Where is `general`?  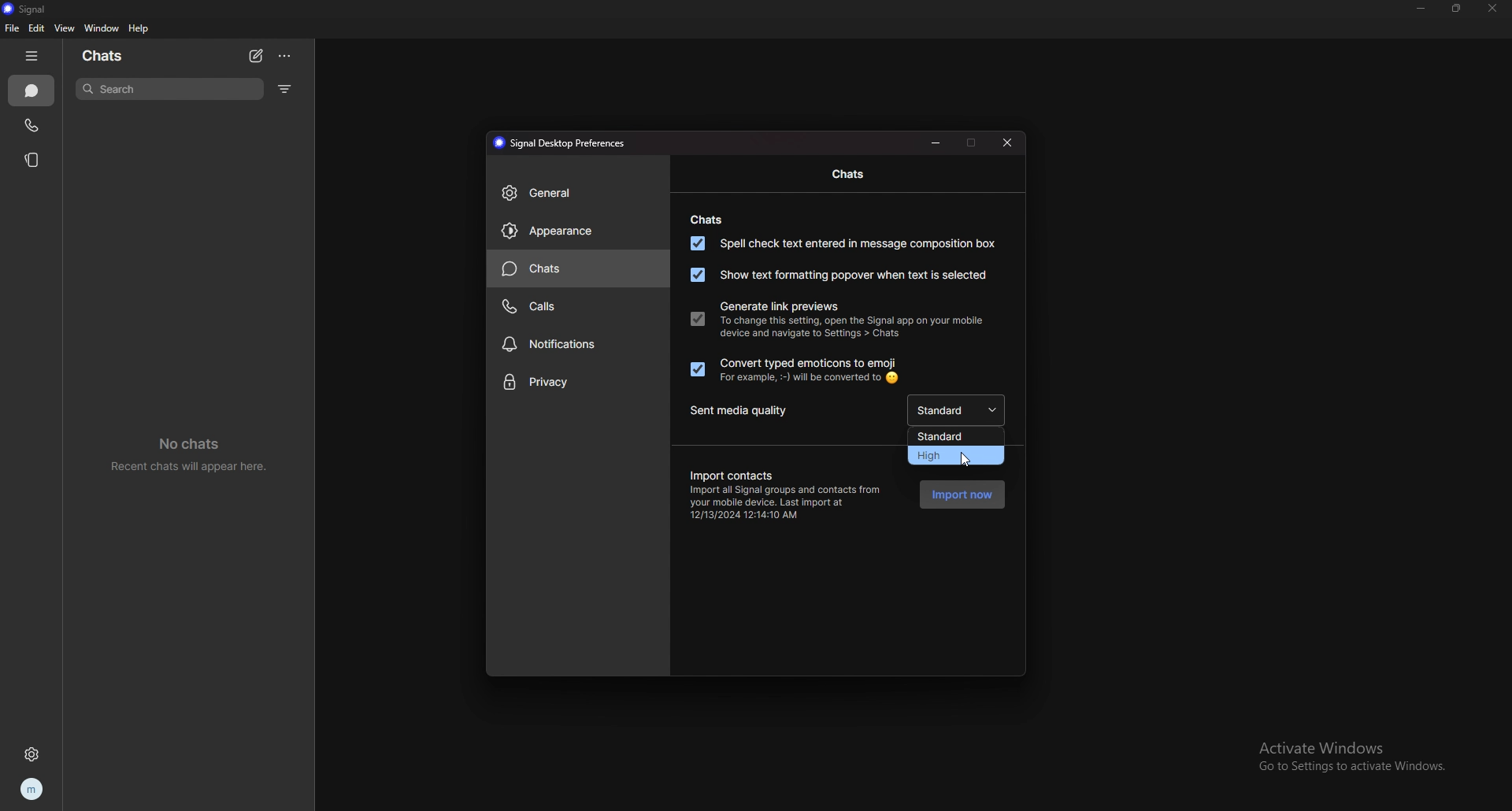
general is located at coordinates (578, 192).